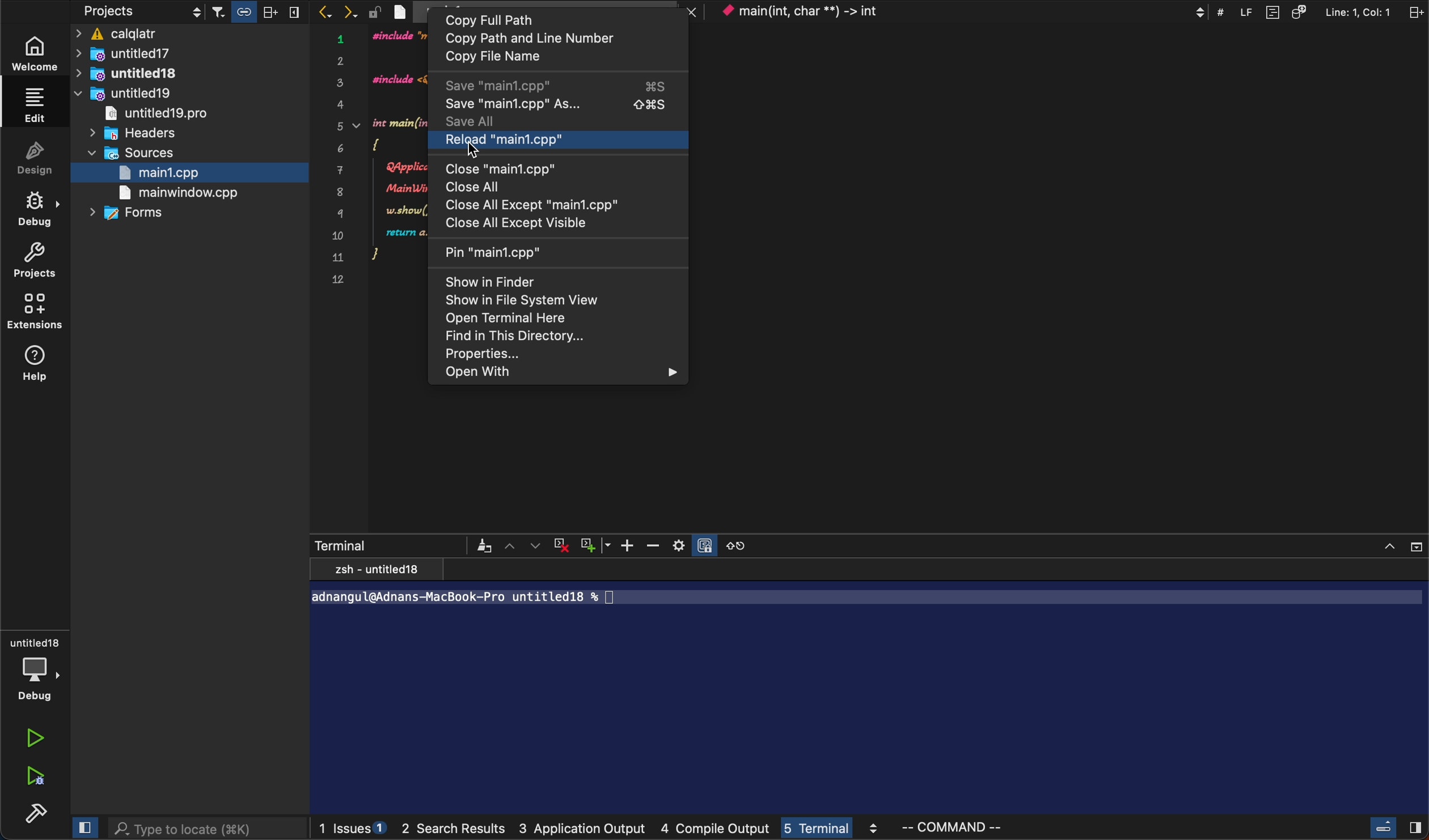 The height and width of the screenshot is (840, 1429). I want to click on properties, so click(536, 355).